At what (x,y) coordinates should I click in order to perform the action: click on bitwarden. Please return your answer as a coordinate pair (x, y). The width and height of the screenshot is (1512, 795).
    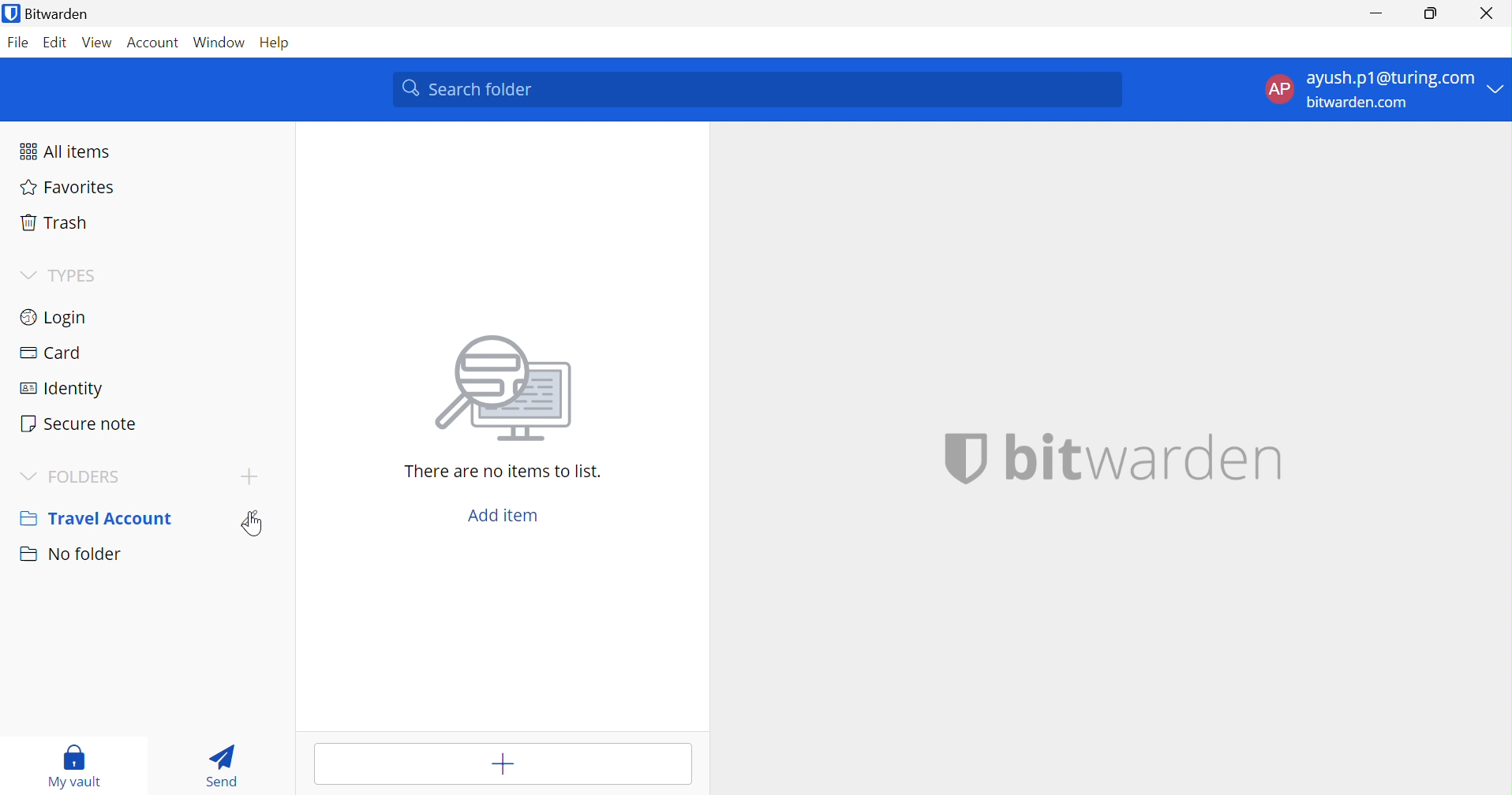
    Looking at the image, I should click on (1142, 457).